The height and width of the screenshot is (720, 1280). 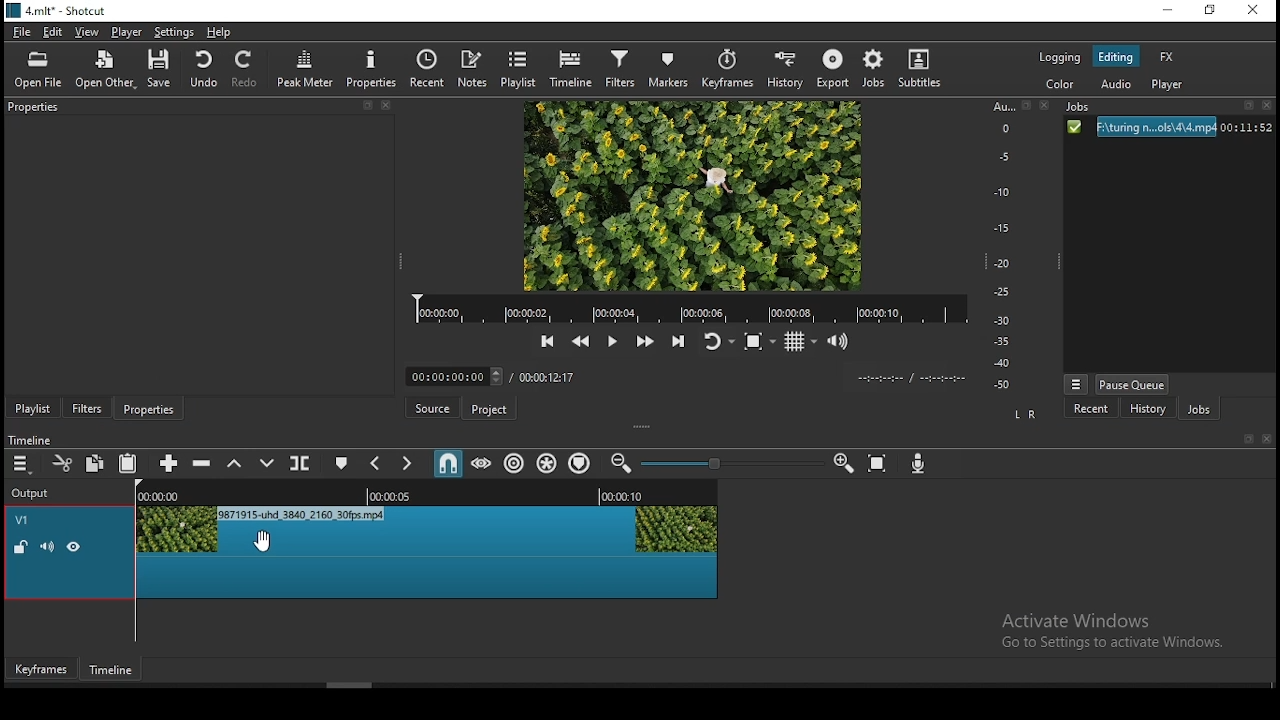 What do you see at coordinates (126, 31) in the screenshot?
I see `player` at bounding box center [126, 31].